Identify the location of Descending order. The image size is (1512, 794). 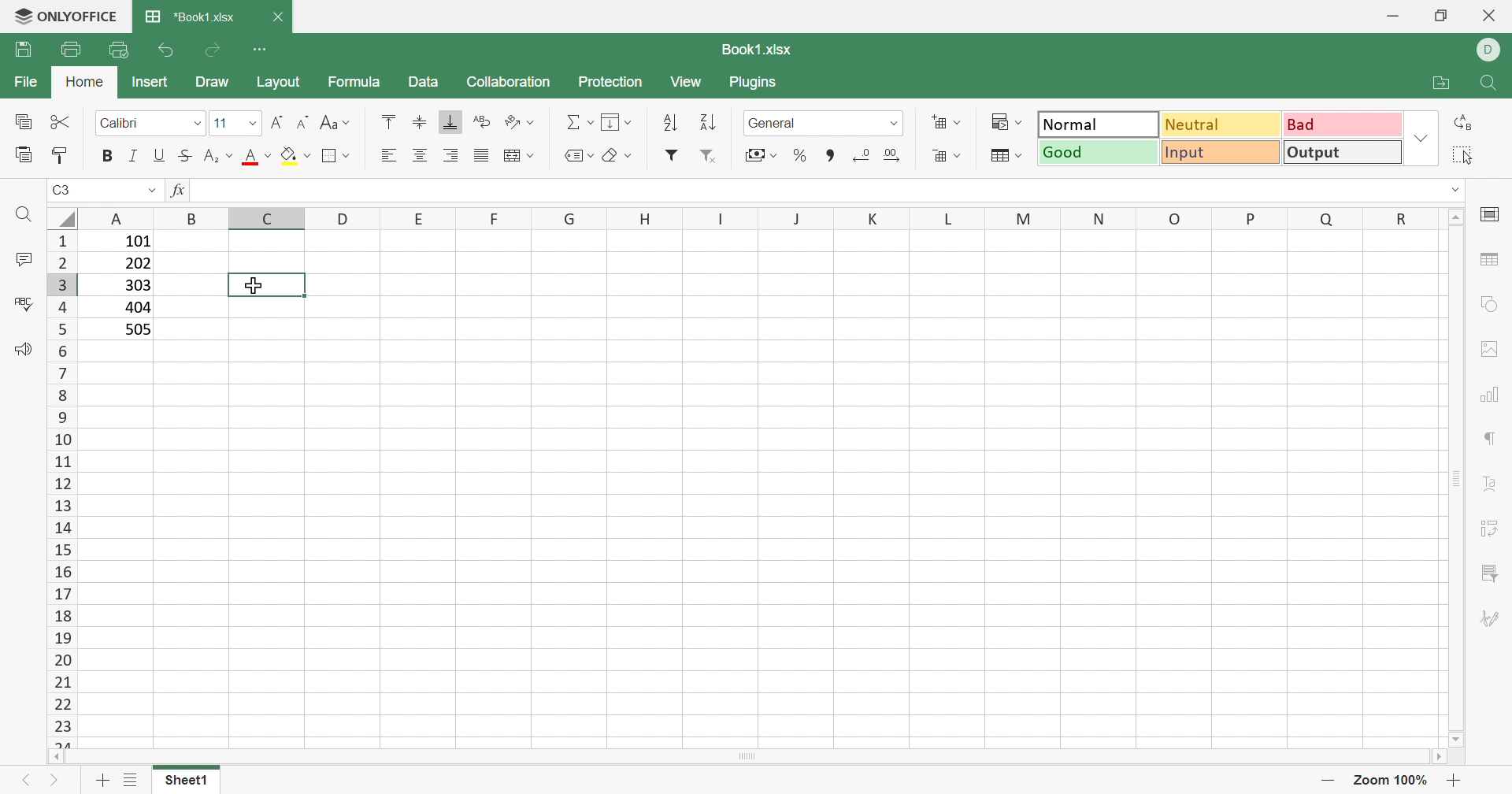
(708, 124).